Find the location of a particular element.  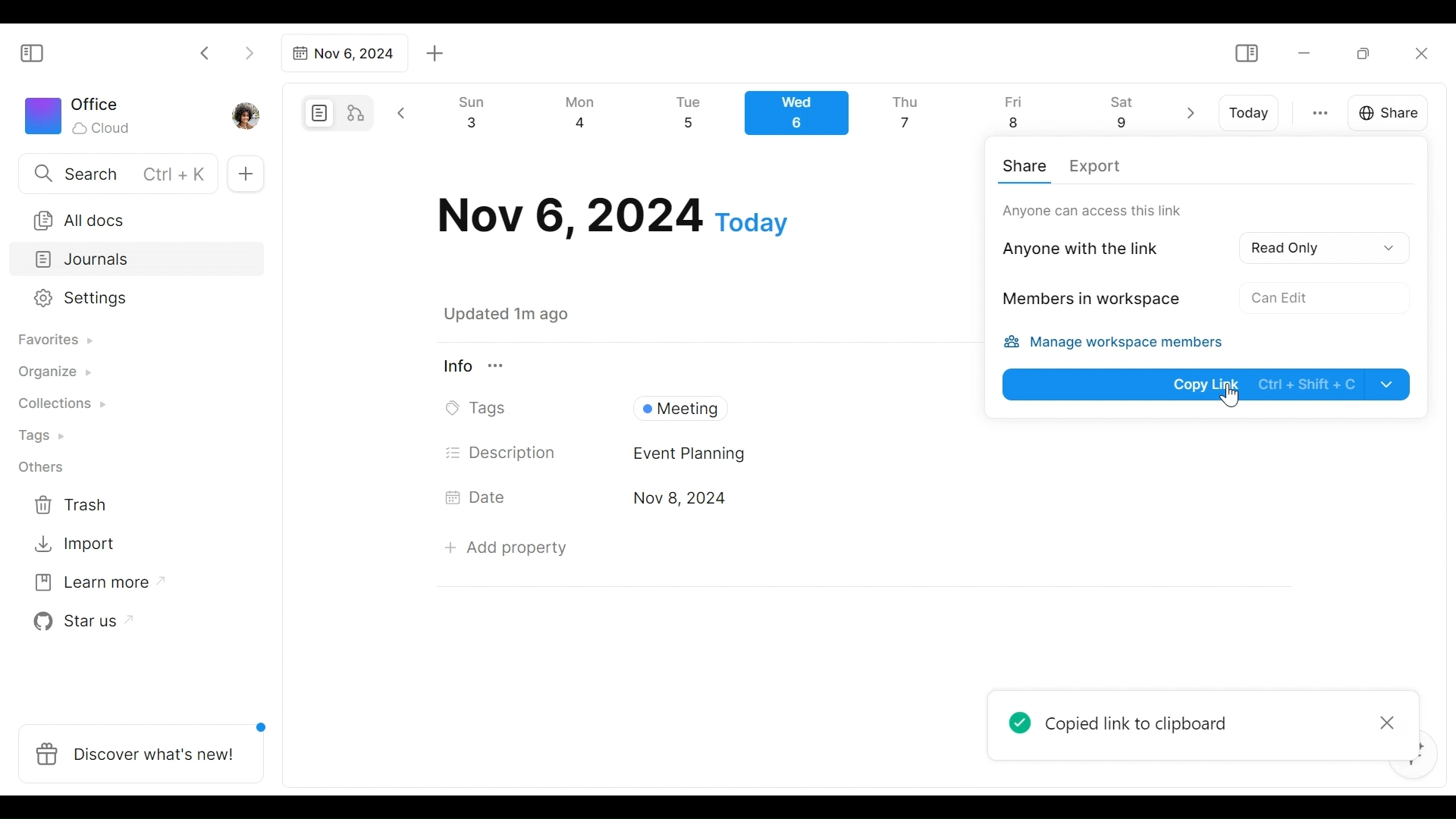

Export is located at coordinates (1094, 168).